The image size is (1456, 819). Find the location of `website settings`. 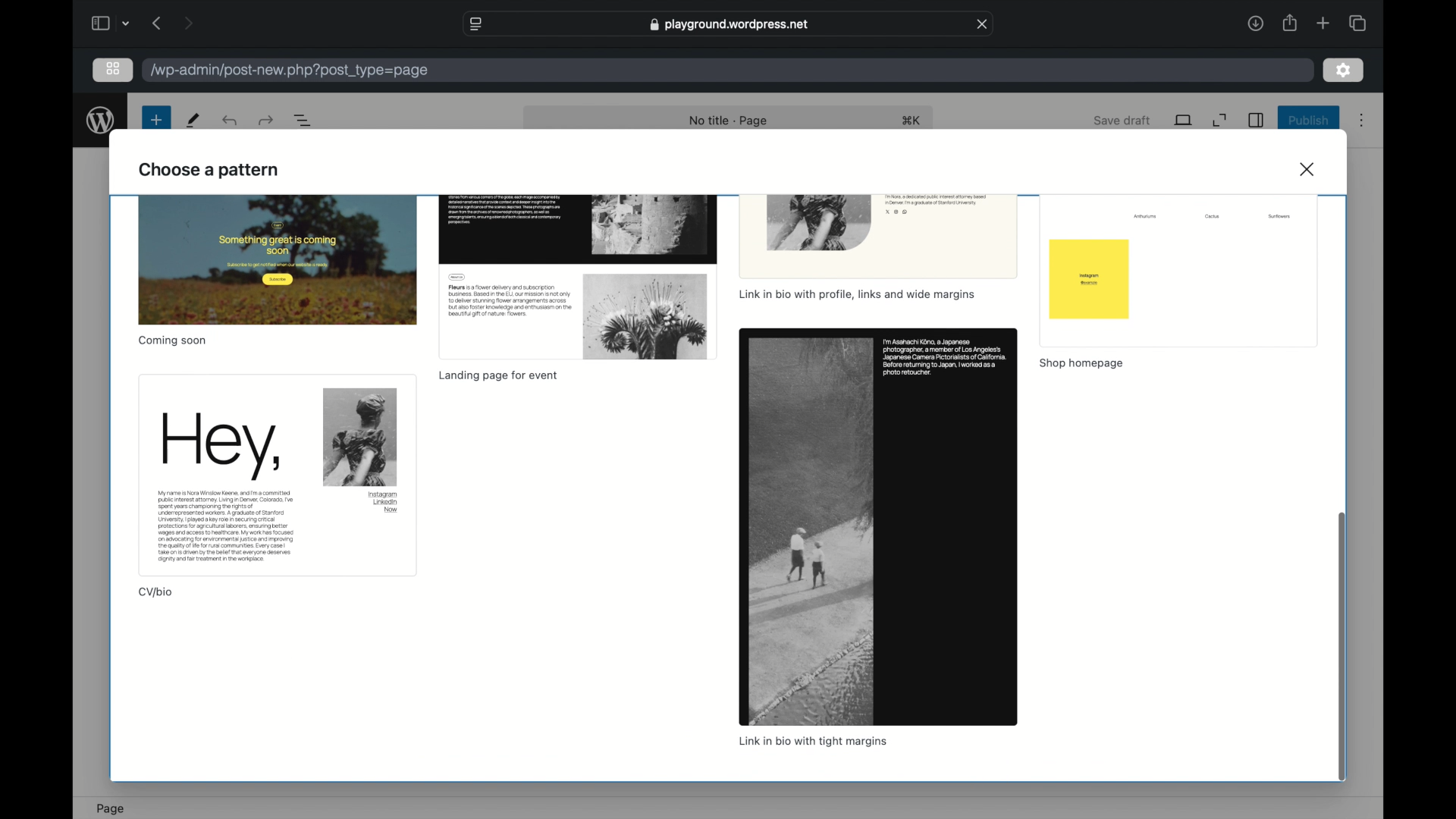

website settings is located at coordinates (474, 24).